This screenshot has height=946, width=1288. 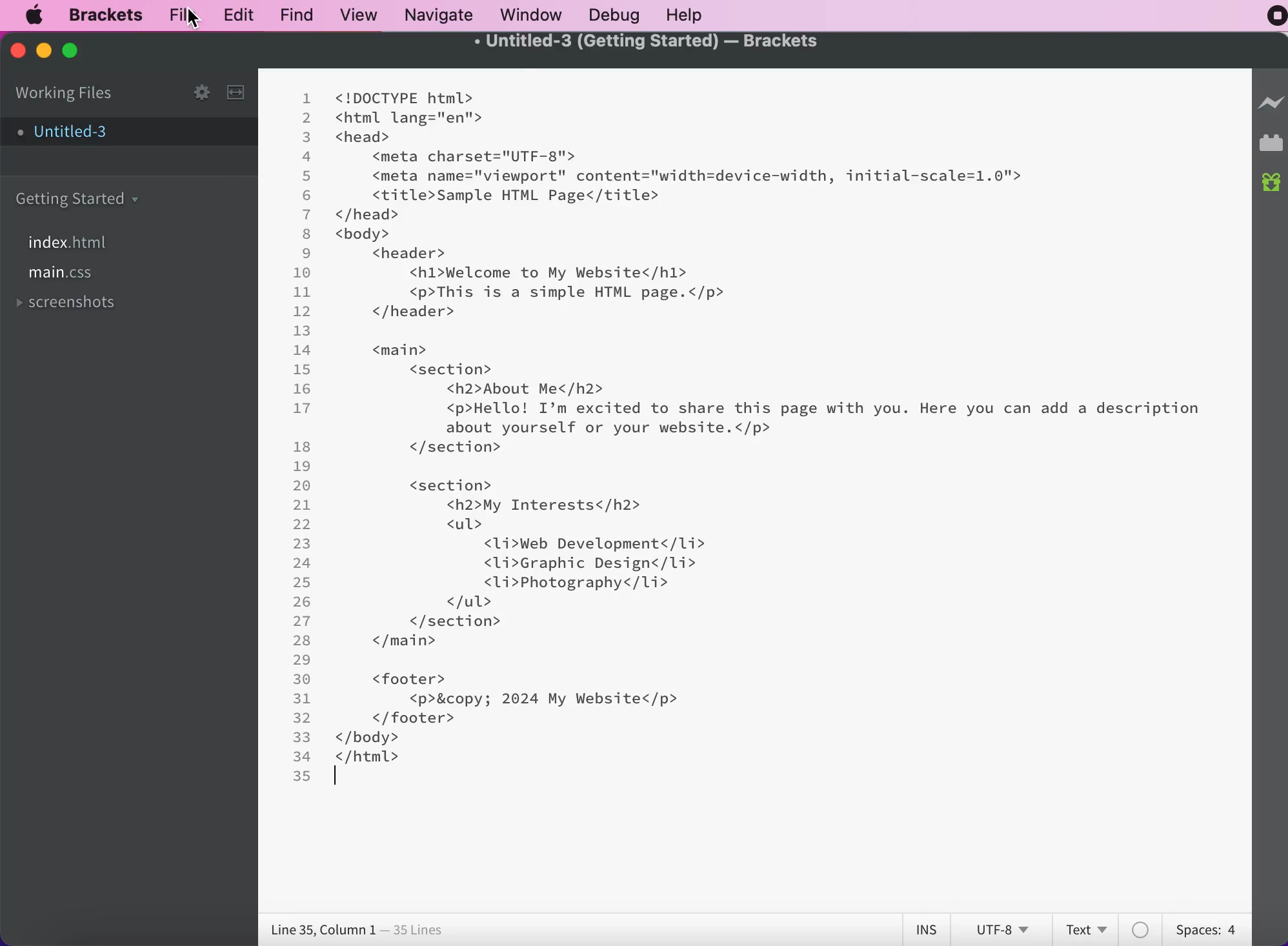 What do you see at coordinates (308, 137) in the screenshot?
I see `3` at bounding box center [308, 137].